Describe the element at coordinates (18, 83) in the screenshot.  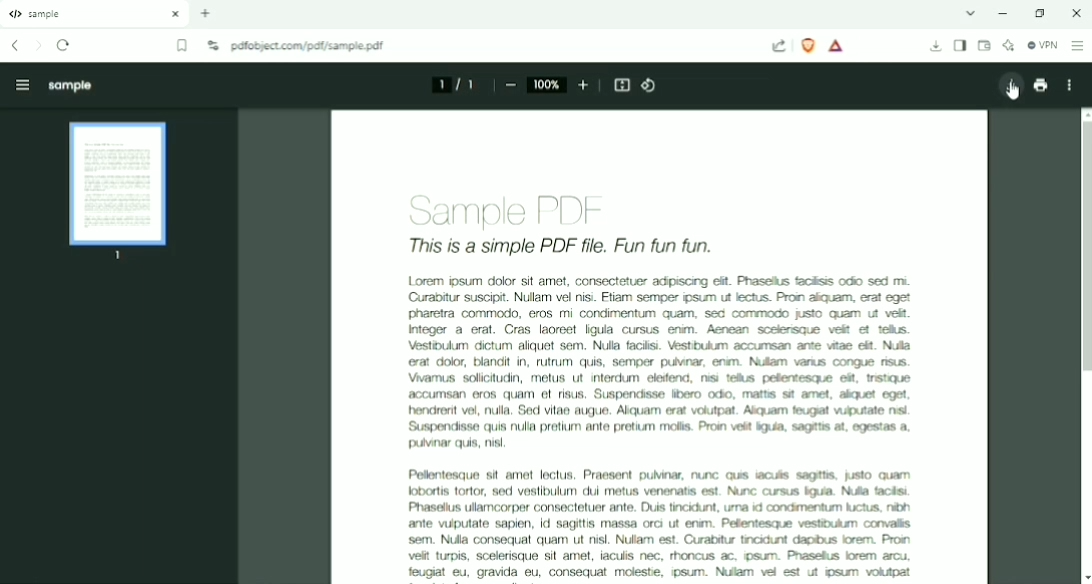
I see `Menu` at that location.